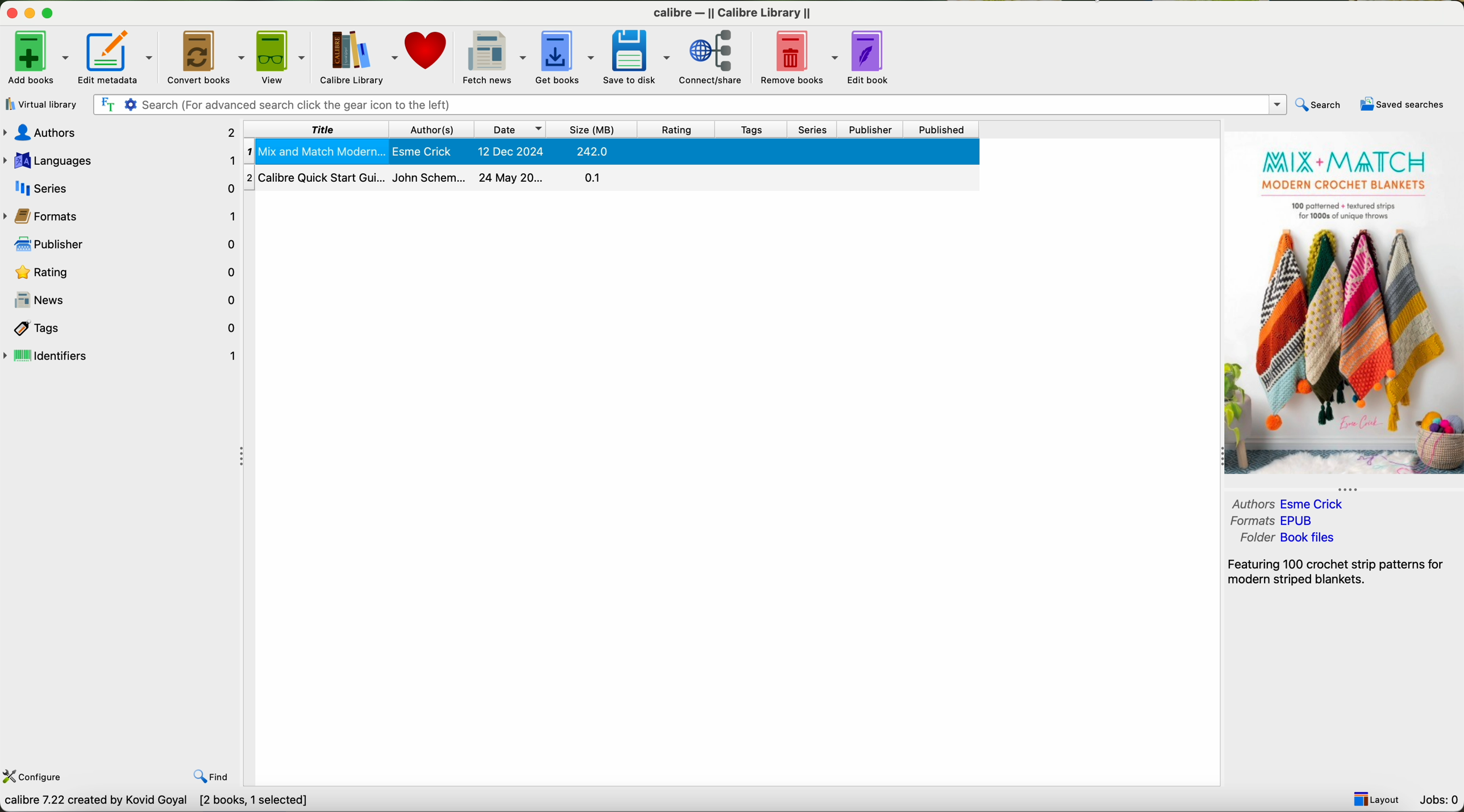  Describe the element at coordinates (122, 186) in the screenshot. I see `series` at that location.